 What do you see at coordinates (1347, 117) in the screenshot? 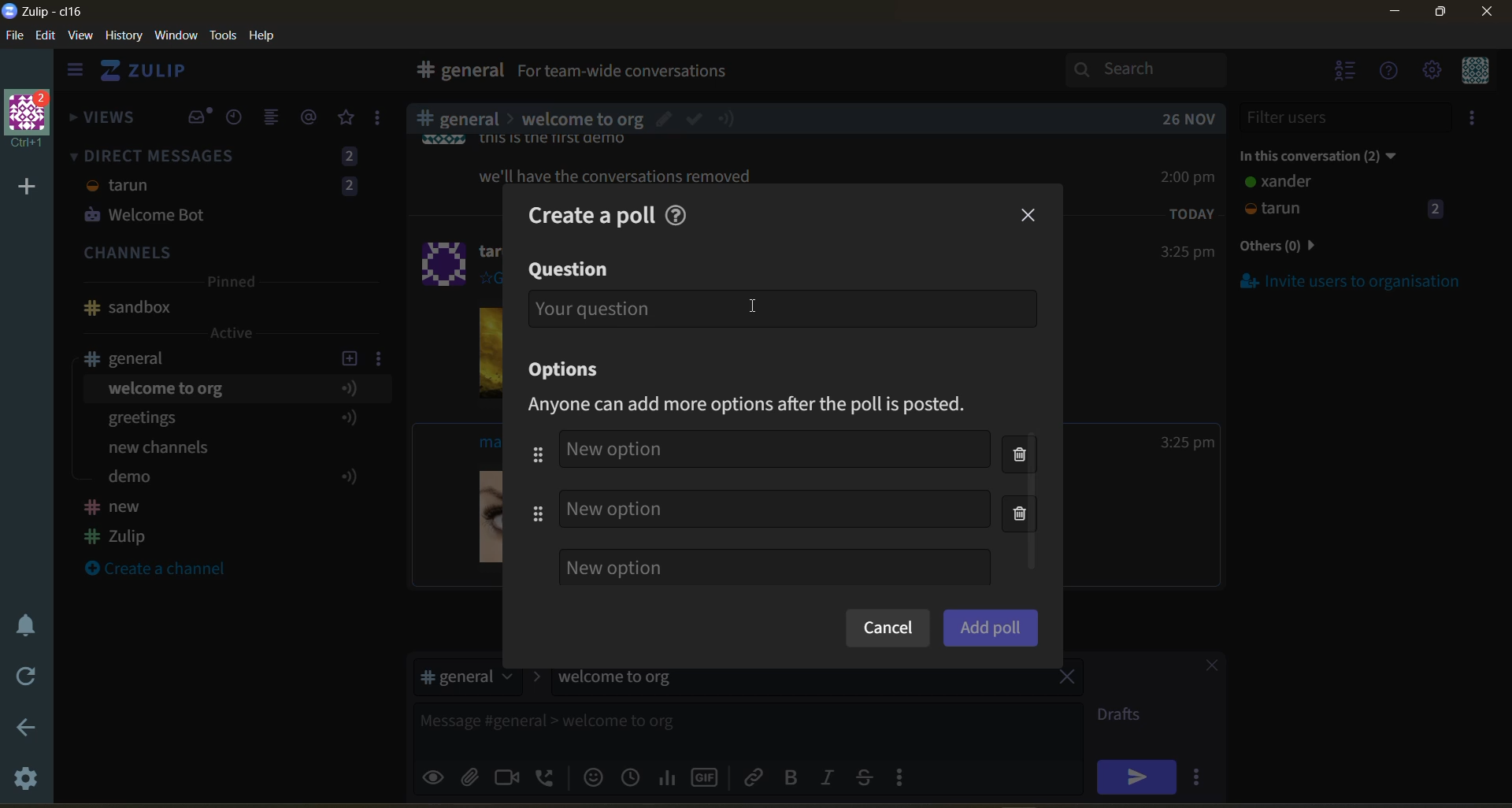
I see `filter users` at bounding box center [1347, 117].